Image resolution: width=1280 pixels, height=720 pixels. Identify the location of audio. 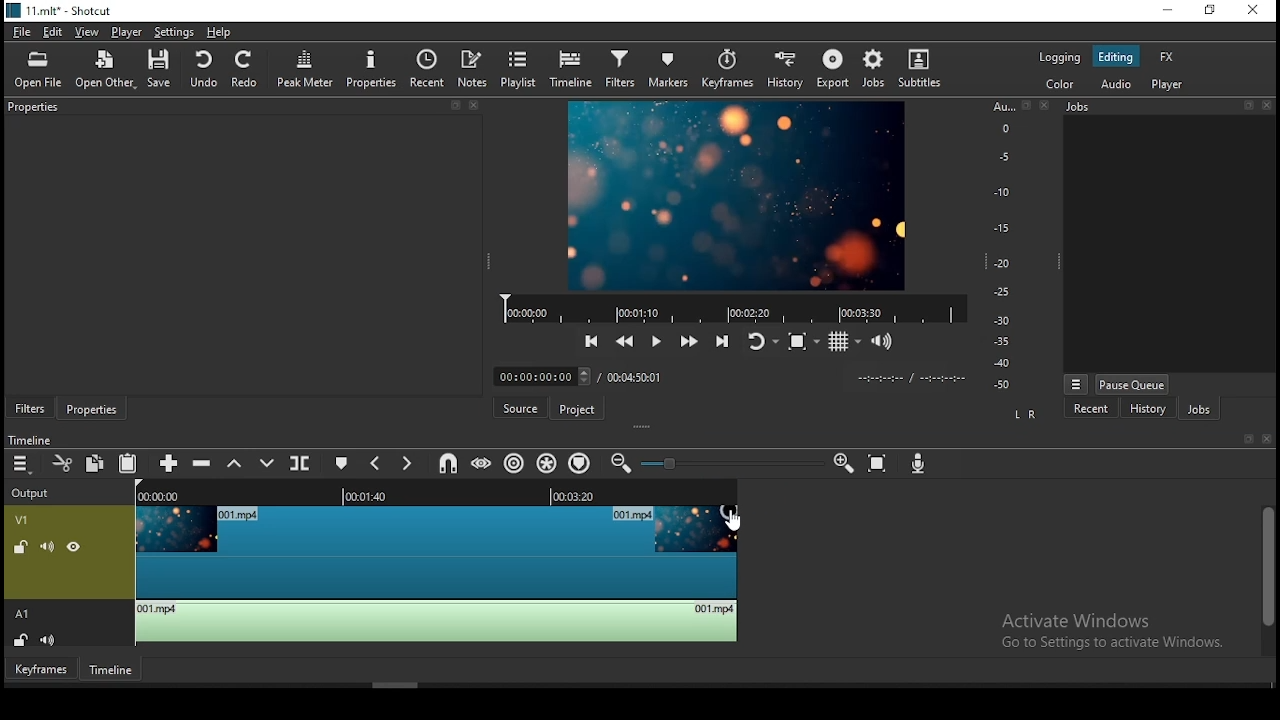
(1119, 84).